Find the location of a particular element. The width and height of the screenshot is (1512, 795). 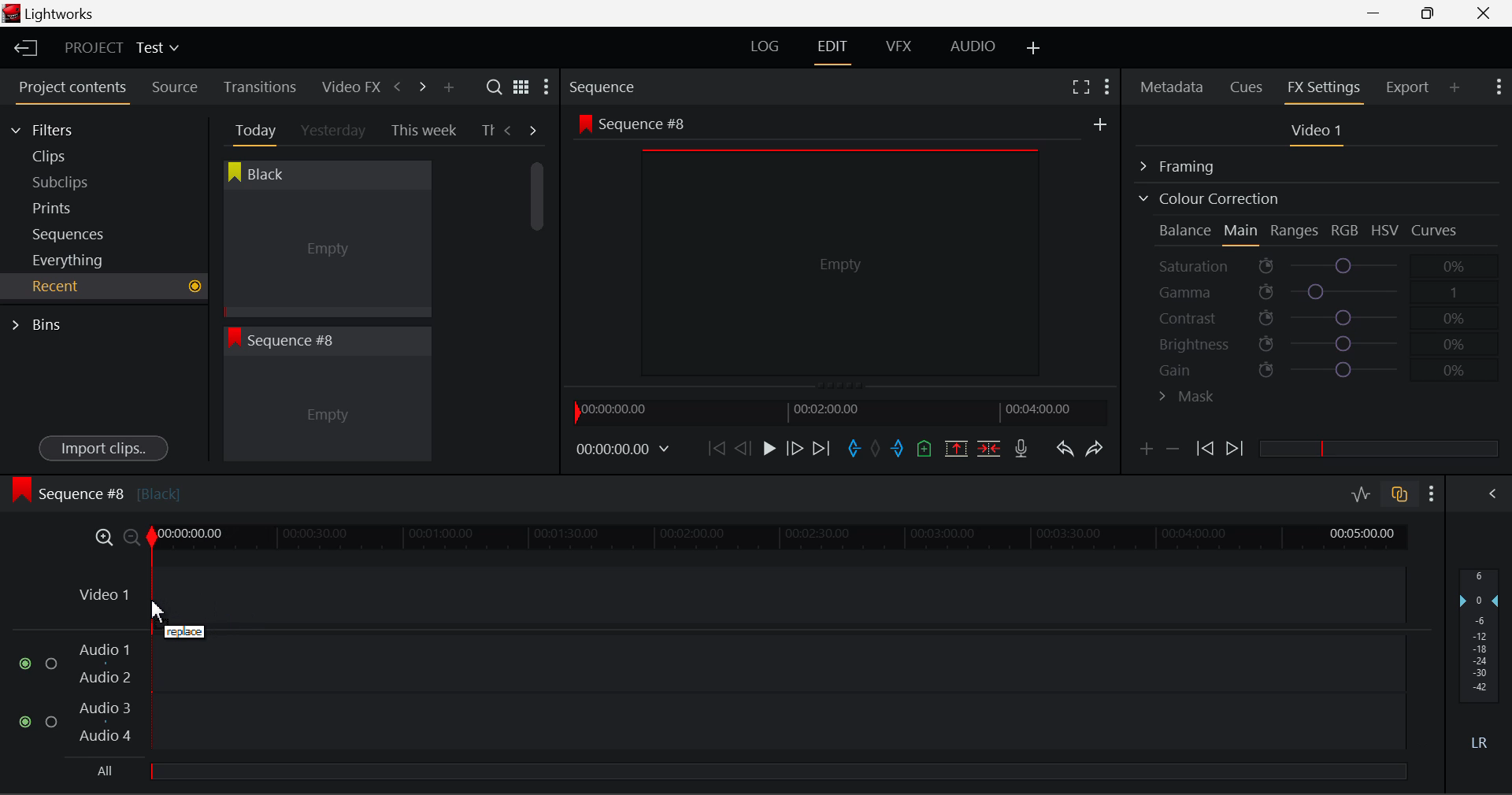

To End is located at coordinates (821, 449).